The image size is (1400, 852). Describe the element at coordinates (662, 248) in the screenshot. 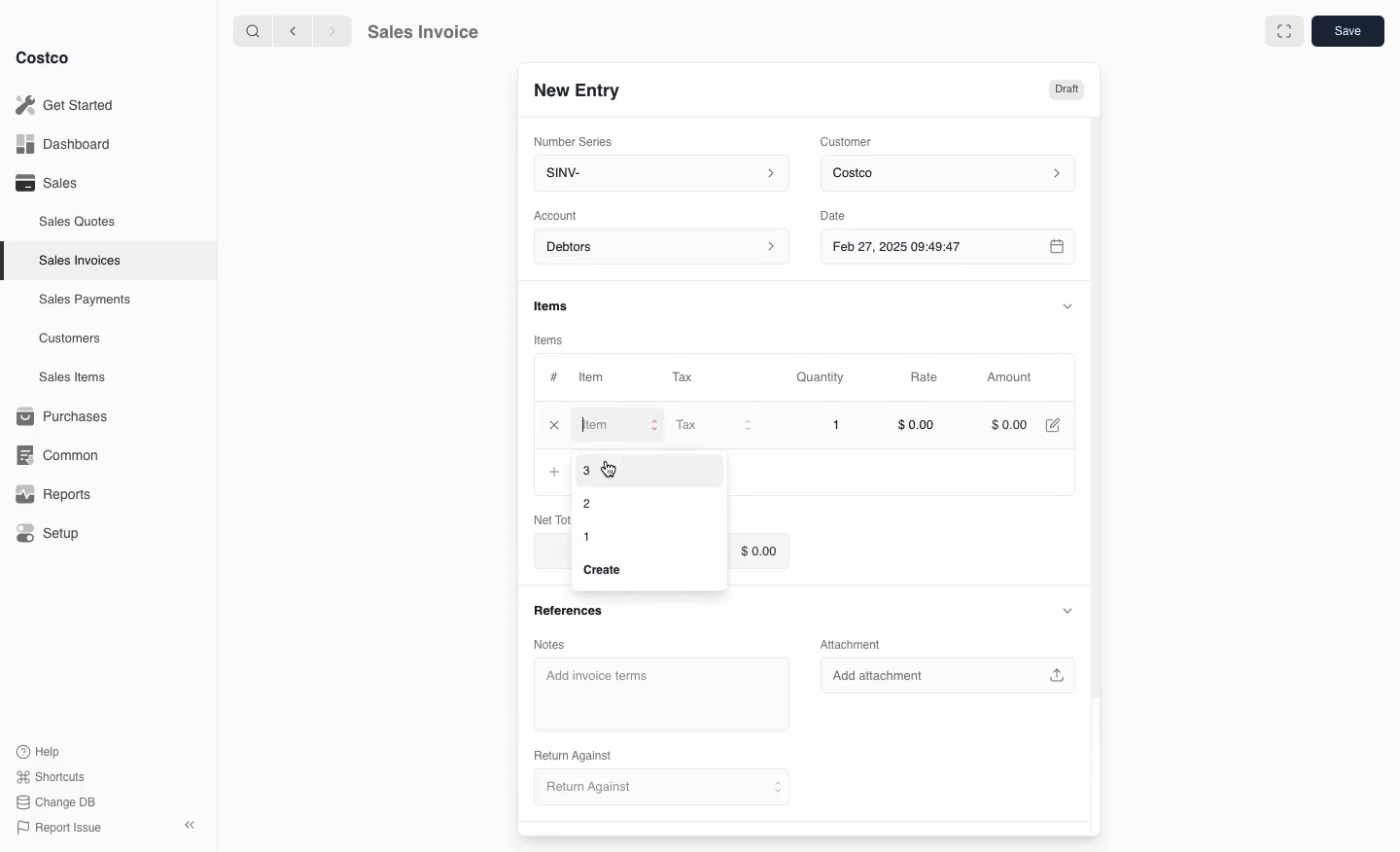

I see `Debtors` at that location.